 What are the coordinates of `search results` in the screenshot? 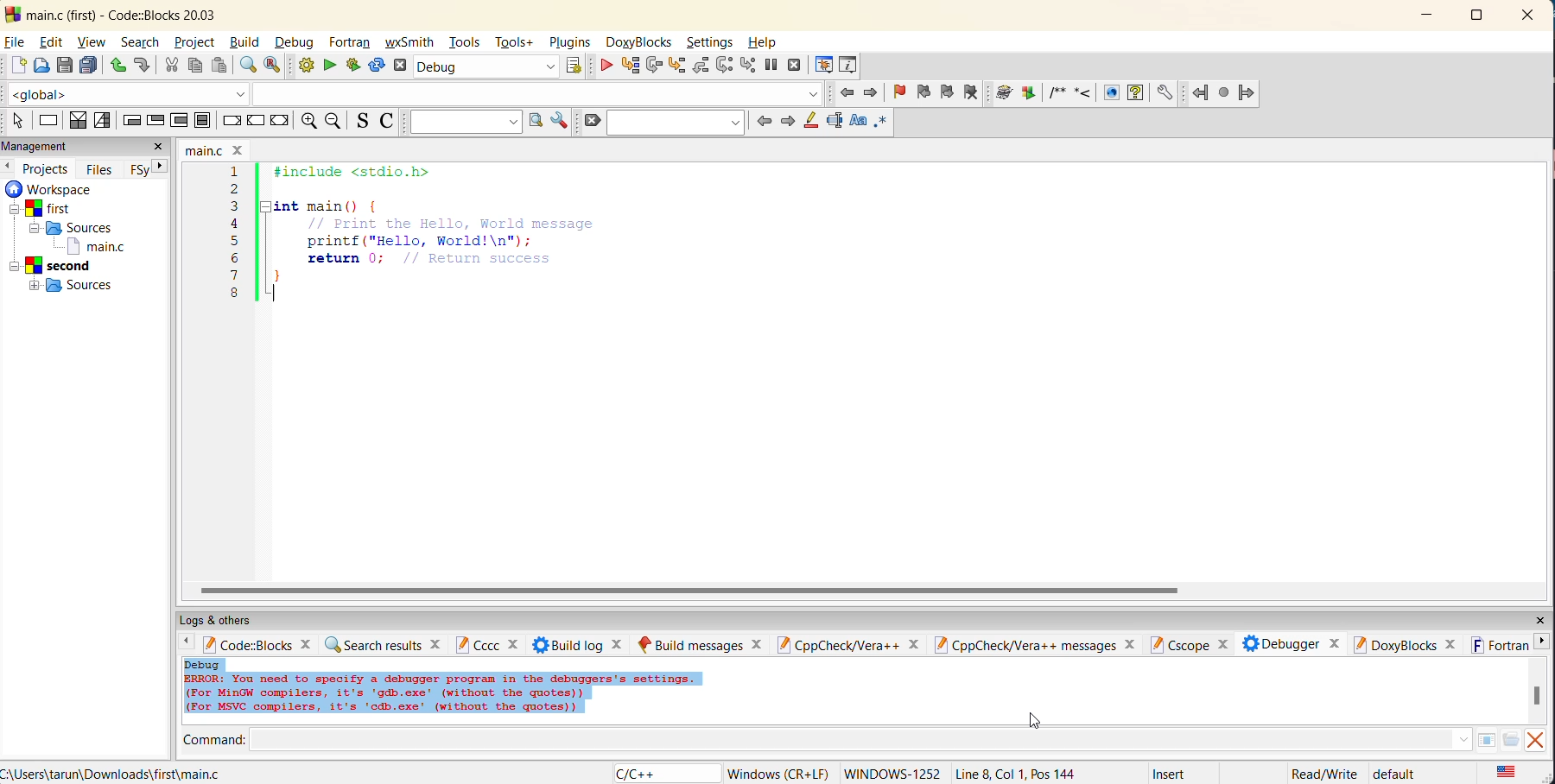 It's located at (385, 645).